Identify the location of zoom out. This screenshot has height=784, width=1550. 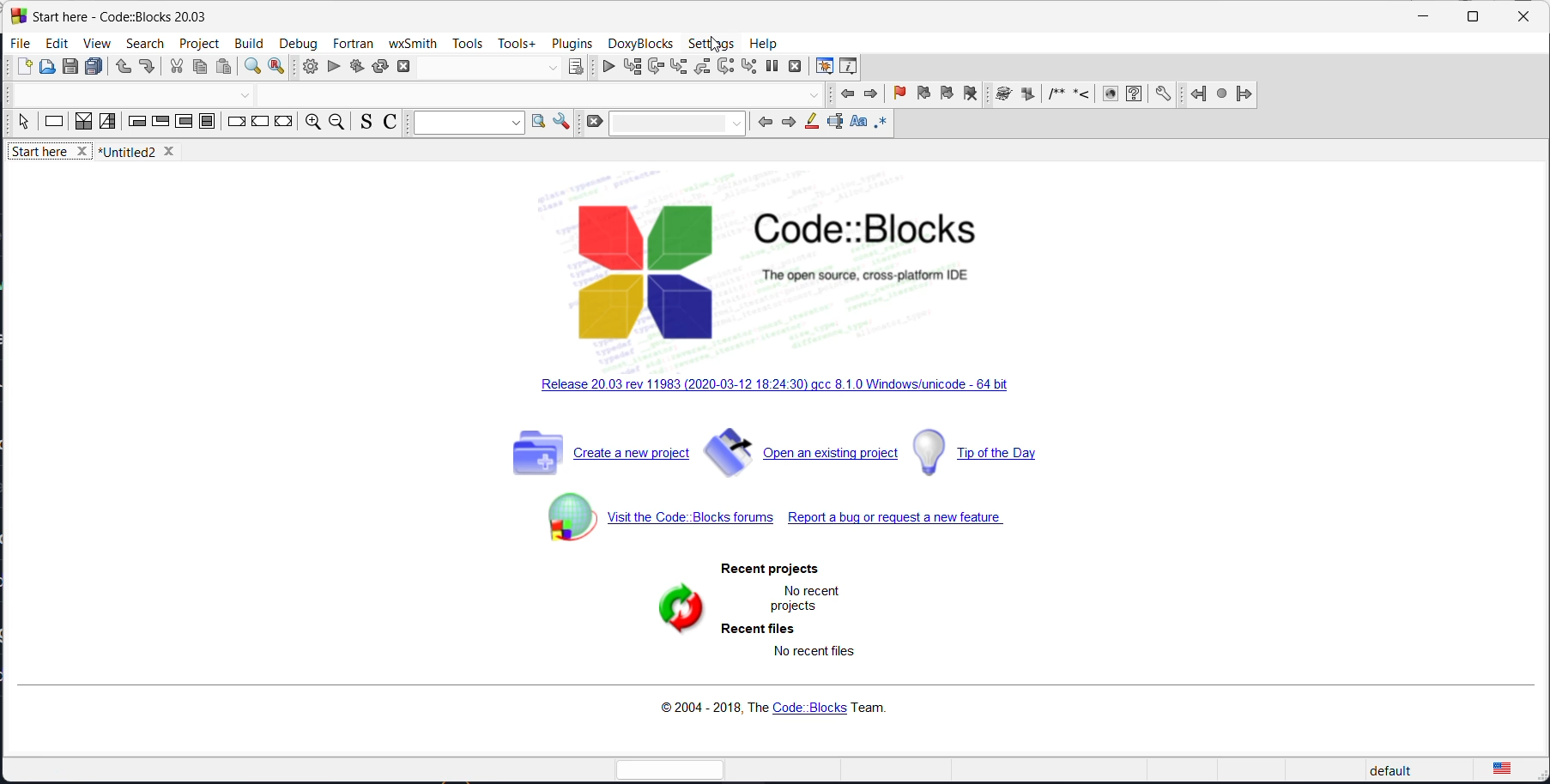
(336, 124).